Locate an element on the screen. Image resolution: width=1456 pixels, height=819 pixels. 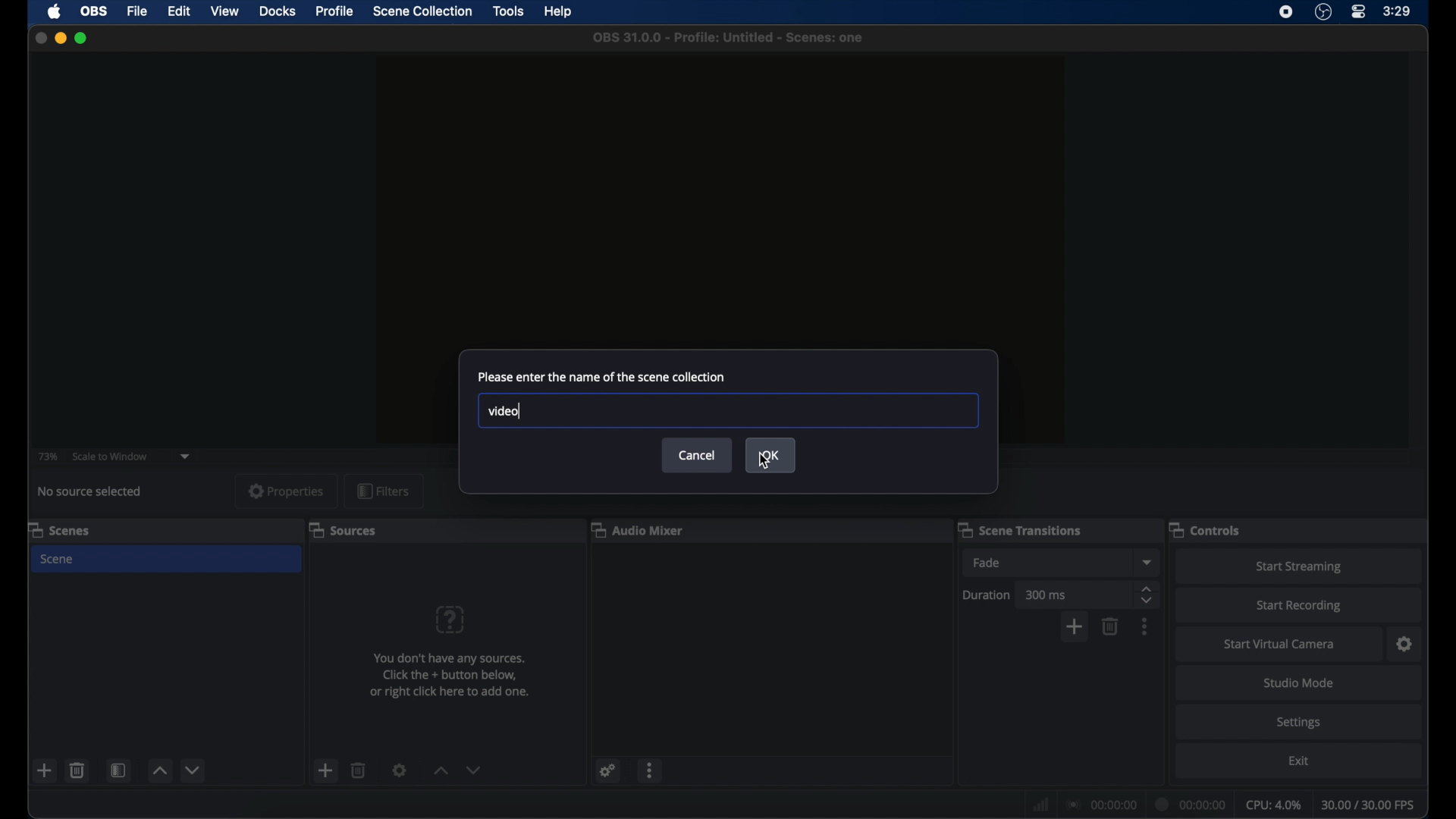
increment is located at coordinates (158, 772).